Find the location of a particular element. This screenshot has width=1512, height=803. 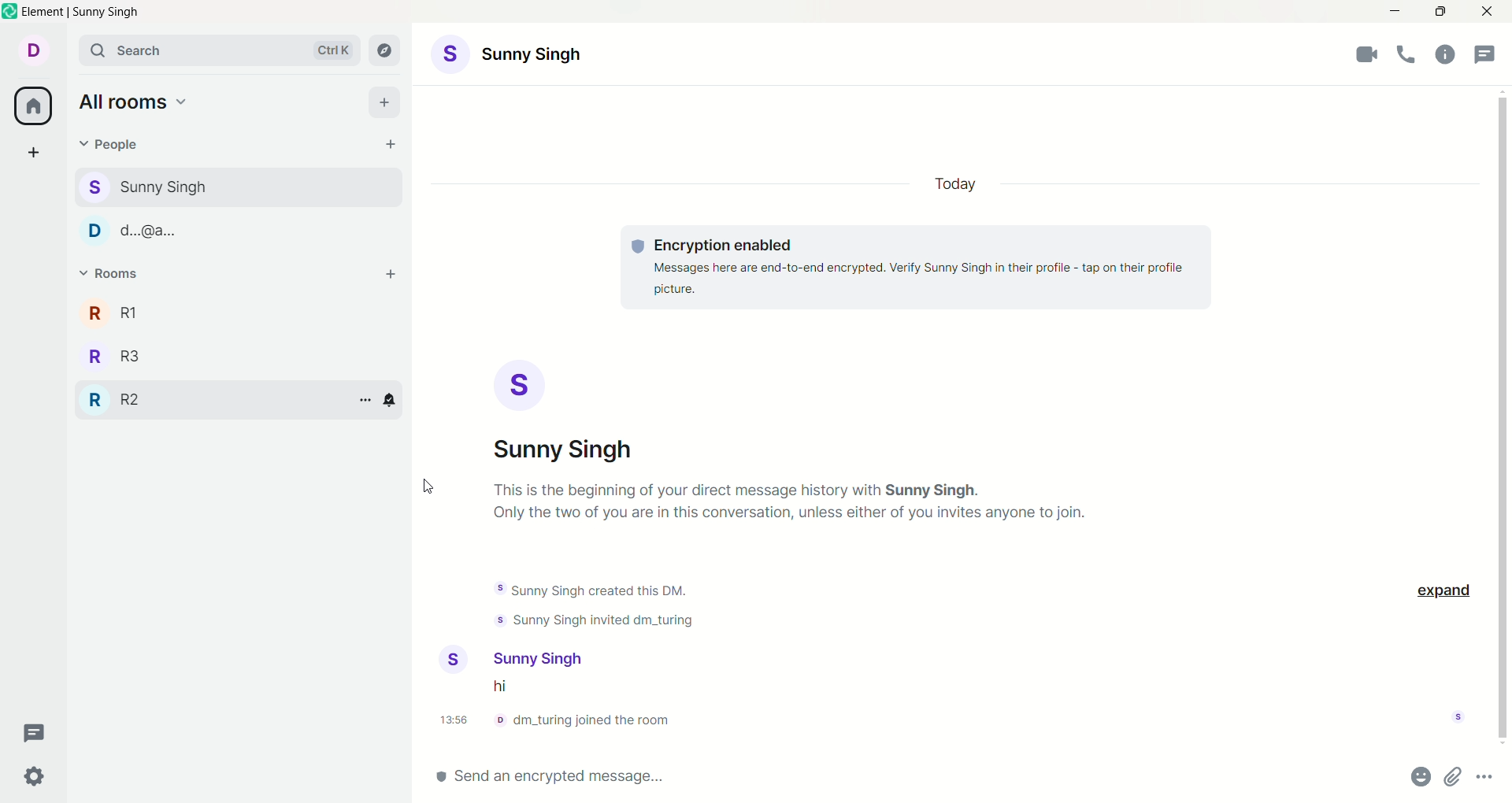

search is located at coordinates (220, 52).